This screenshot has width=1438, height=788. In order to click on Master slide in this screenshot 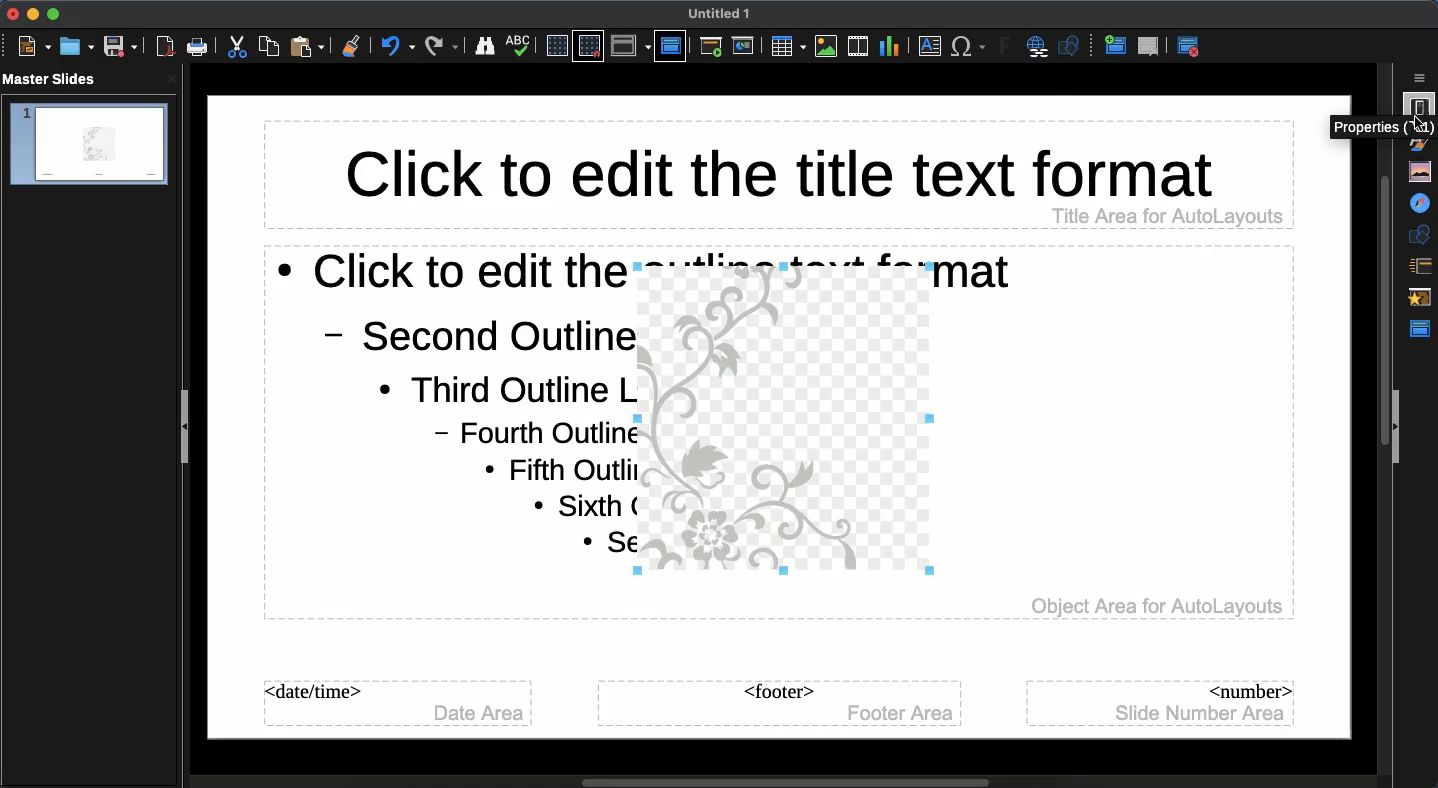, I will do `click(670, 45)`.